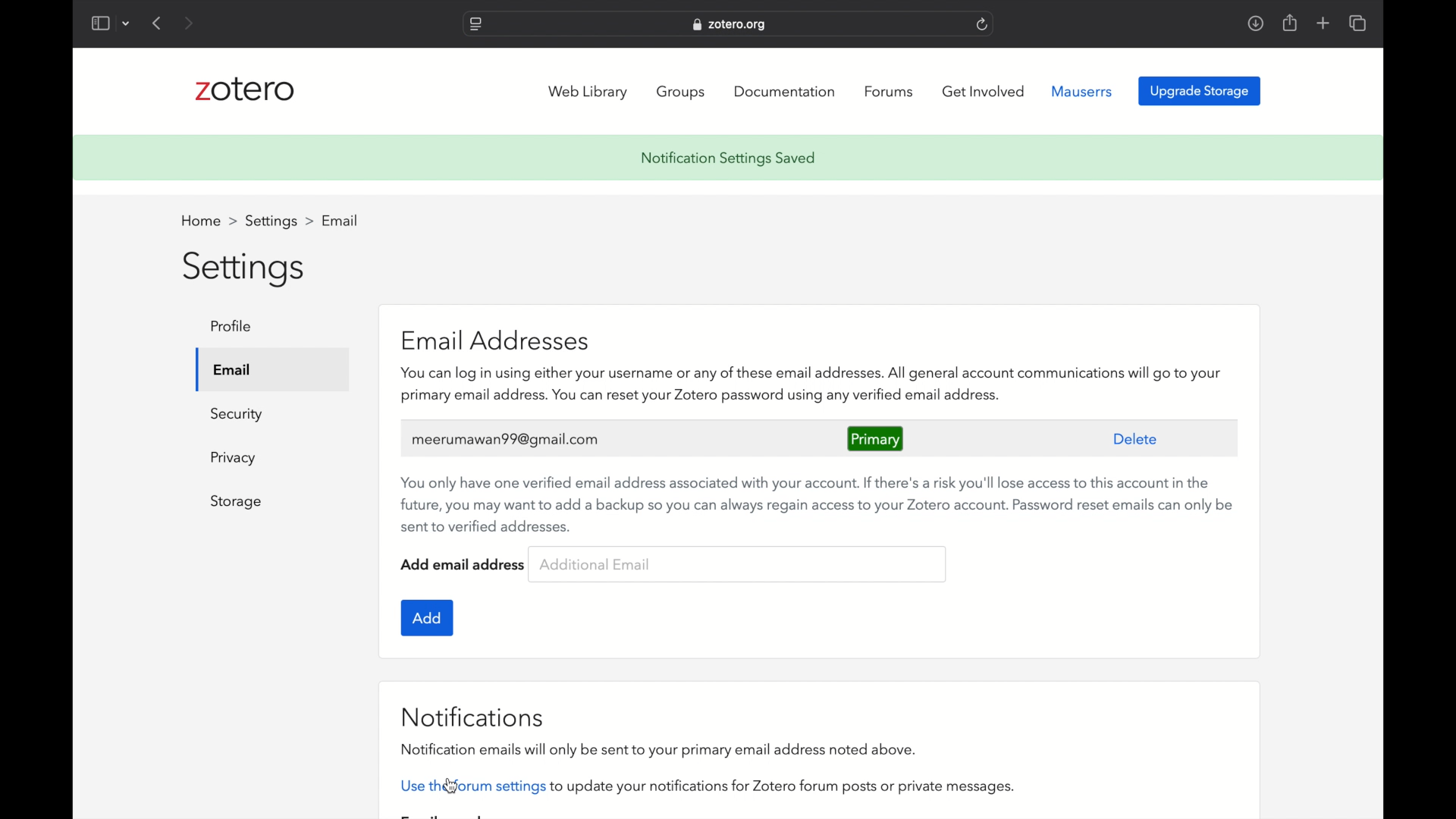 The height and width of the screenshot is (819, 1456). I want to click on forums, so click(889, 92).